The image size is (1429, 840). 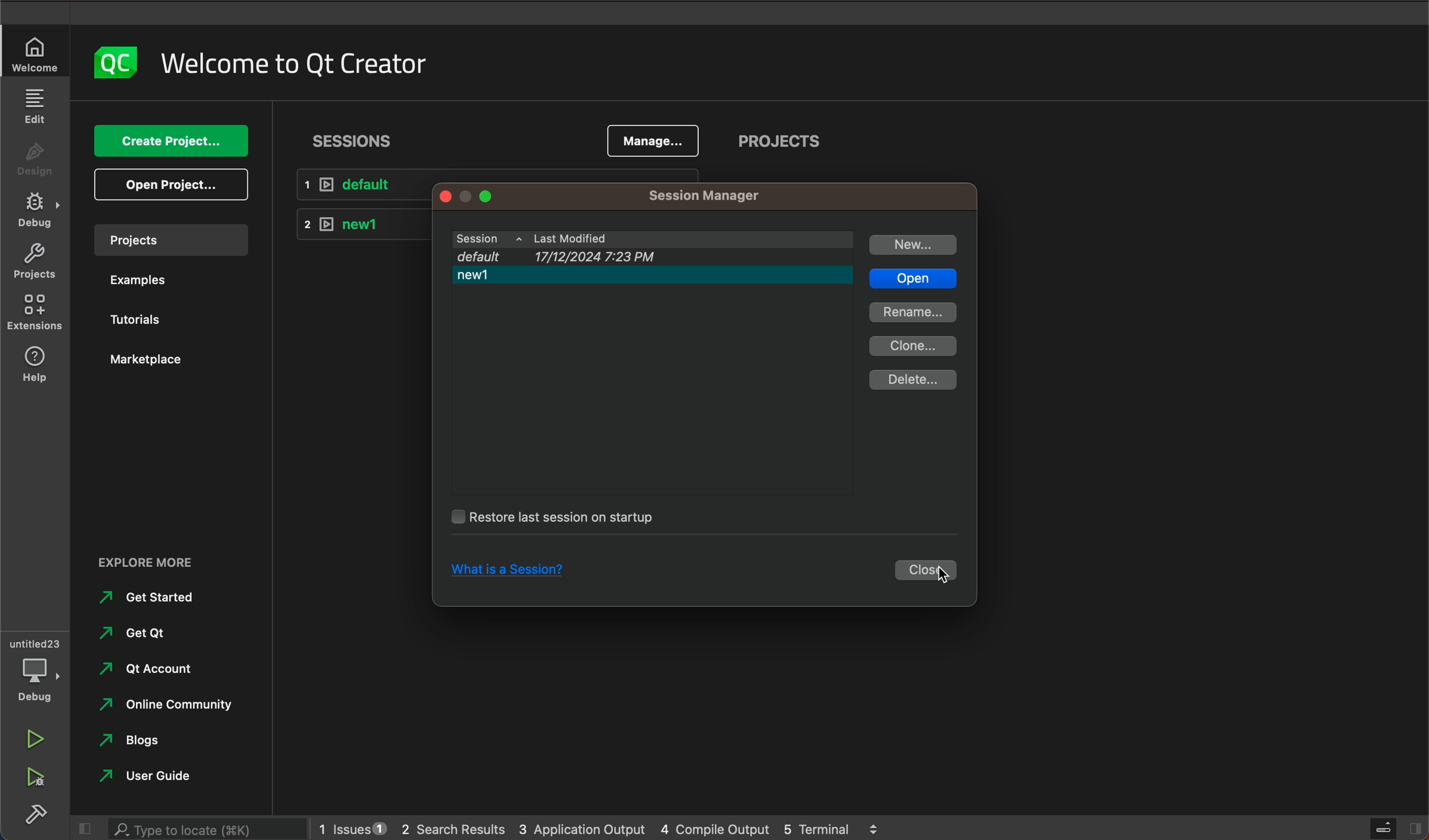 What do you see at coordinates (81, 829) in the screenshot?
I see `close slide bar` at bounding box center [81, 829].